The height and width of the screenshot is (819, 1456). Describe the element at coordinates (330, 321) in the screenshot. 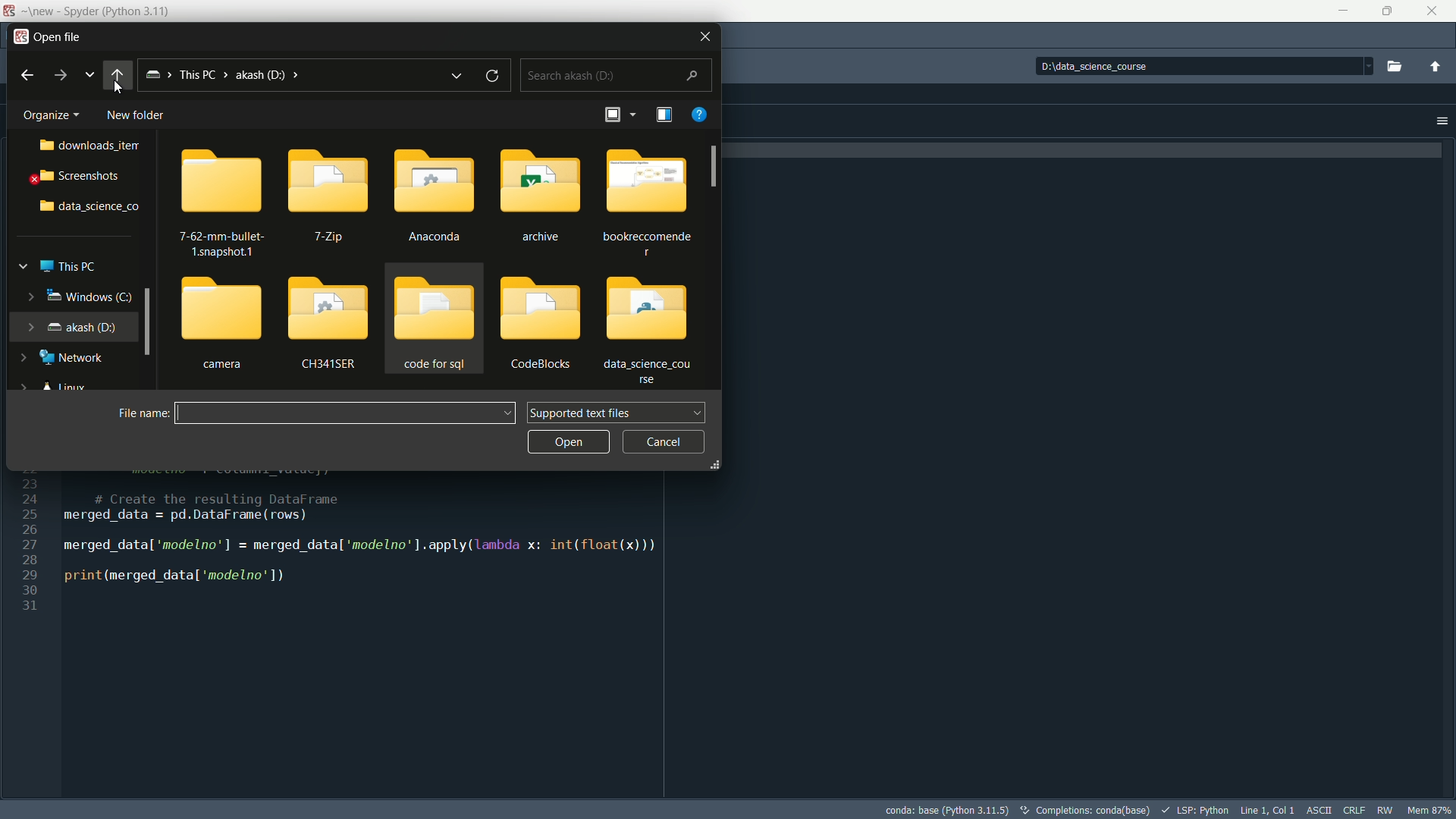

I see `(CH341SER` at that location.